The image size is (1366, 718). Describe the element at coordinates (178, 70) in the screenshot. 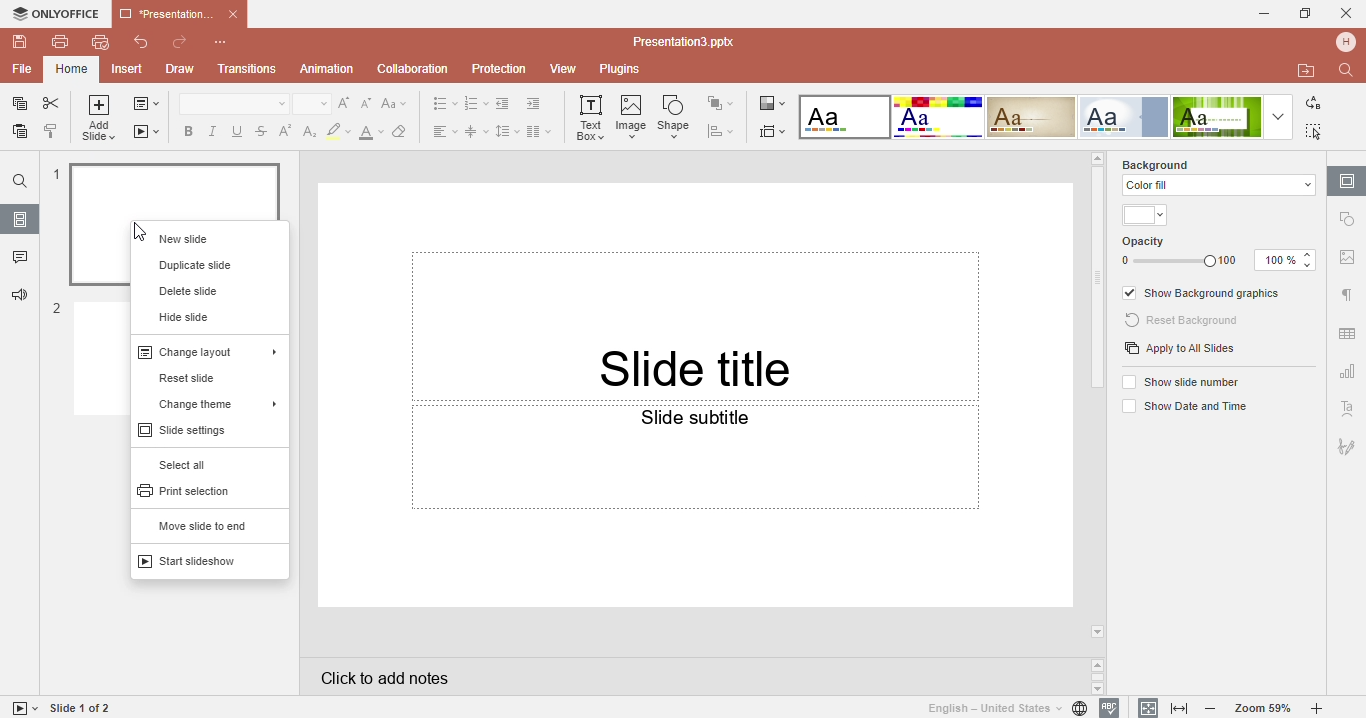

I see `Draw` at that location.